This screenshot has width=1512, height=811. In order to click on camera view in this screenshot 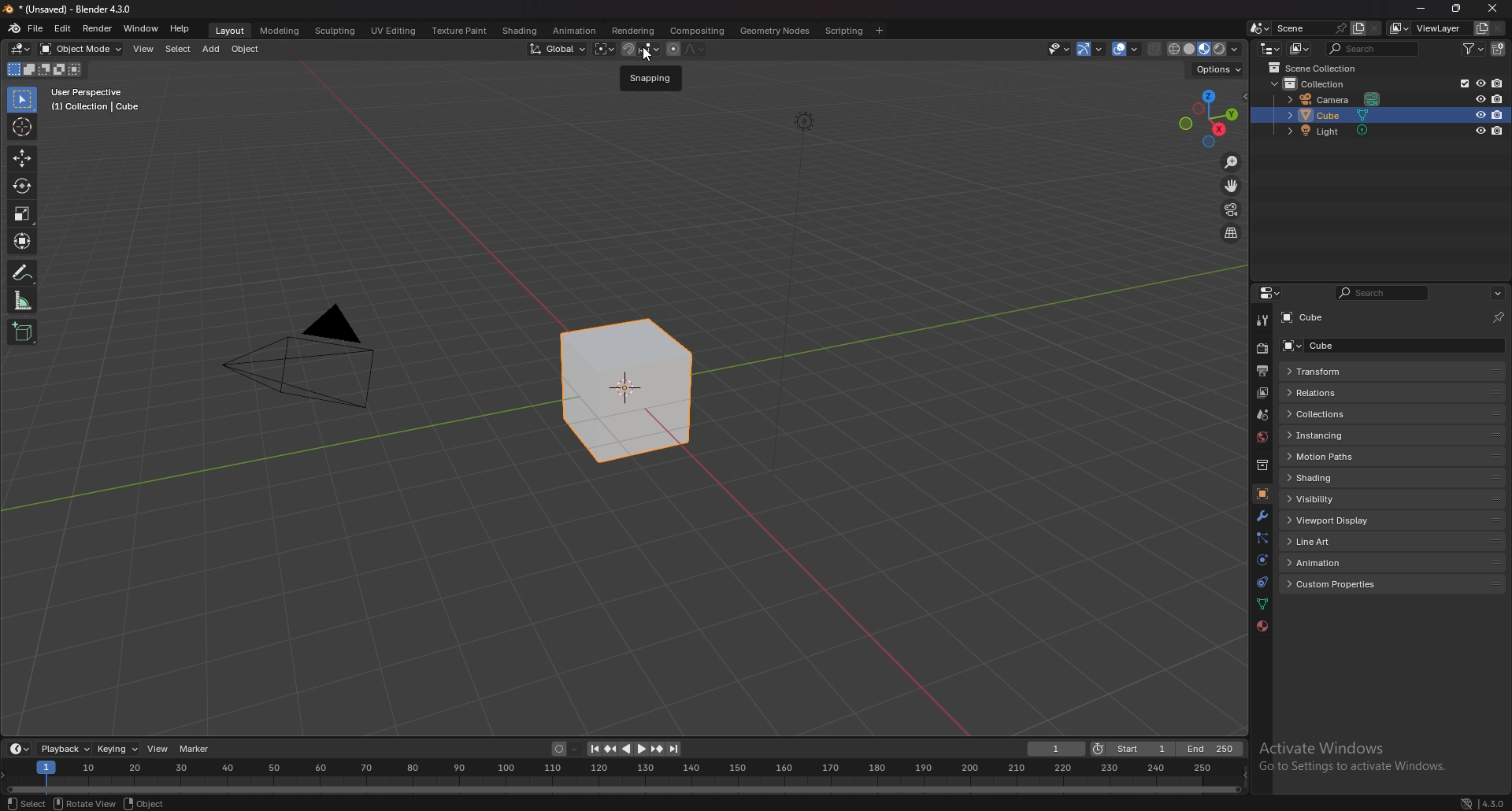, I will do `click(1232, 208)`.